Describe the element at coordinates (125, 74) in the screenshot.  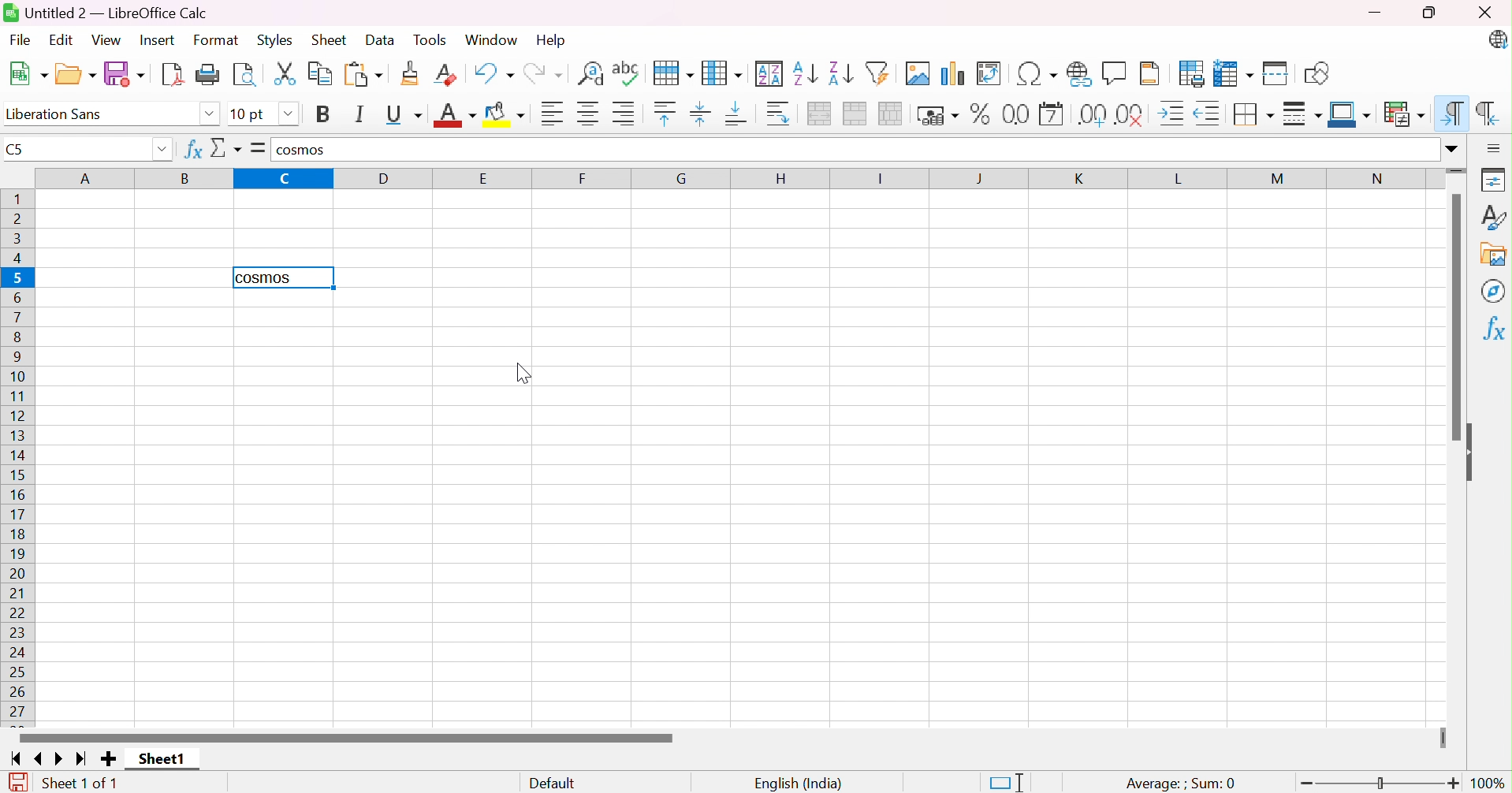
I see `Save` at that location.